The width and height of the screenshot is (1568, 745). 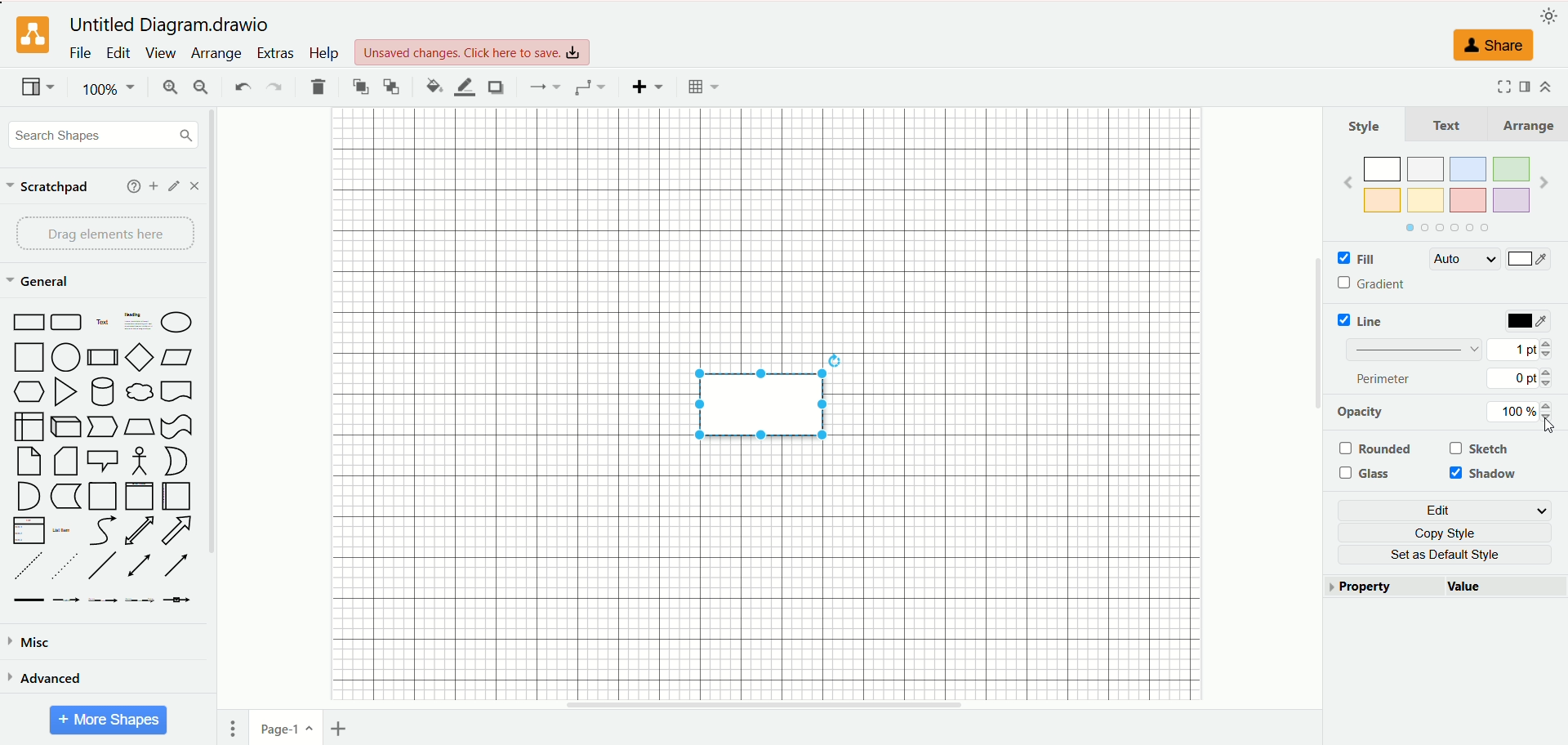 I want to click on help, so click(x=323, y=52).